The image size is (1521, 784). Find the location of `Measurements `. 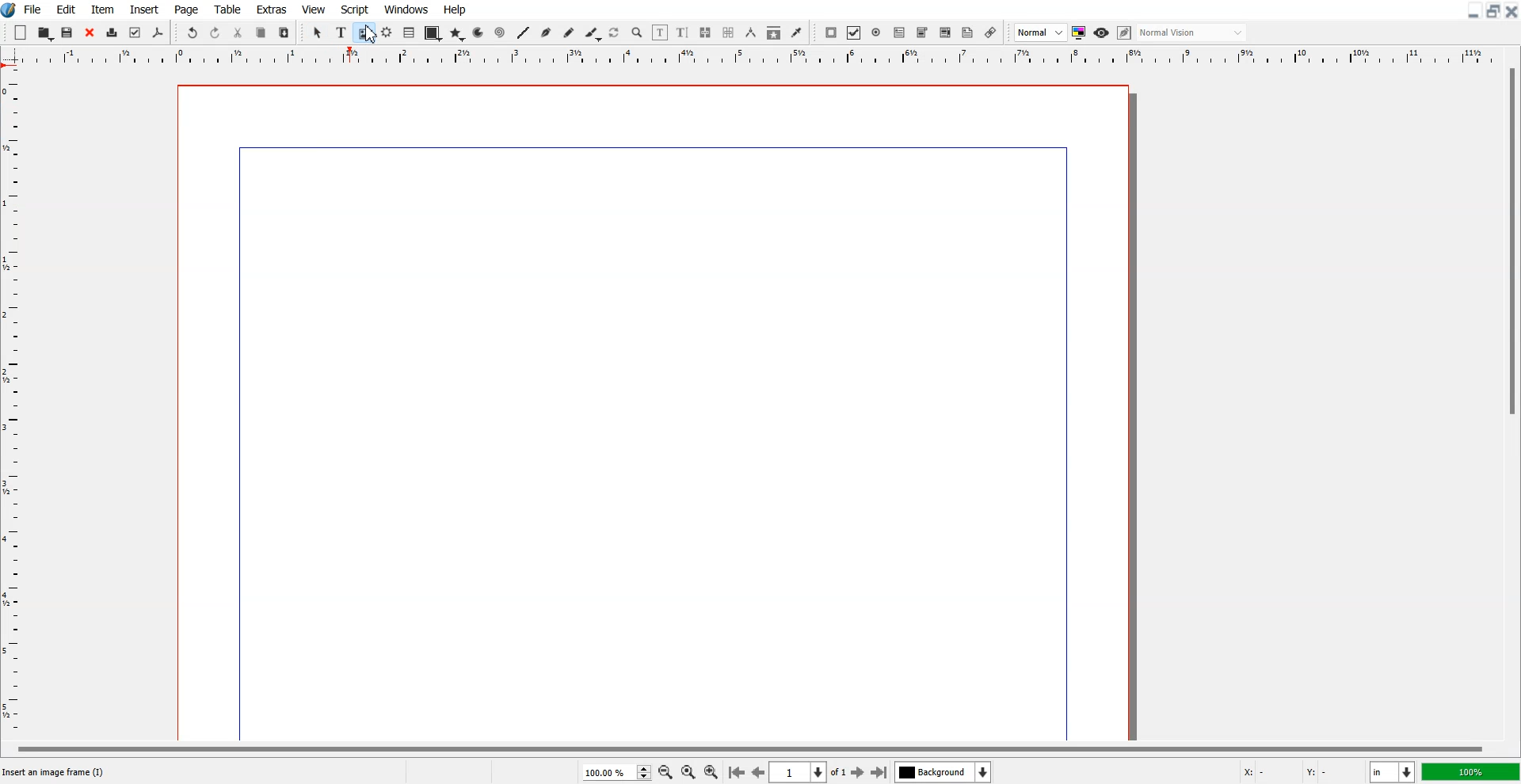

Measurements  is located at coordinates (750, 32).